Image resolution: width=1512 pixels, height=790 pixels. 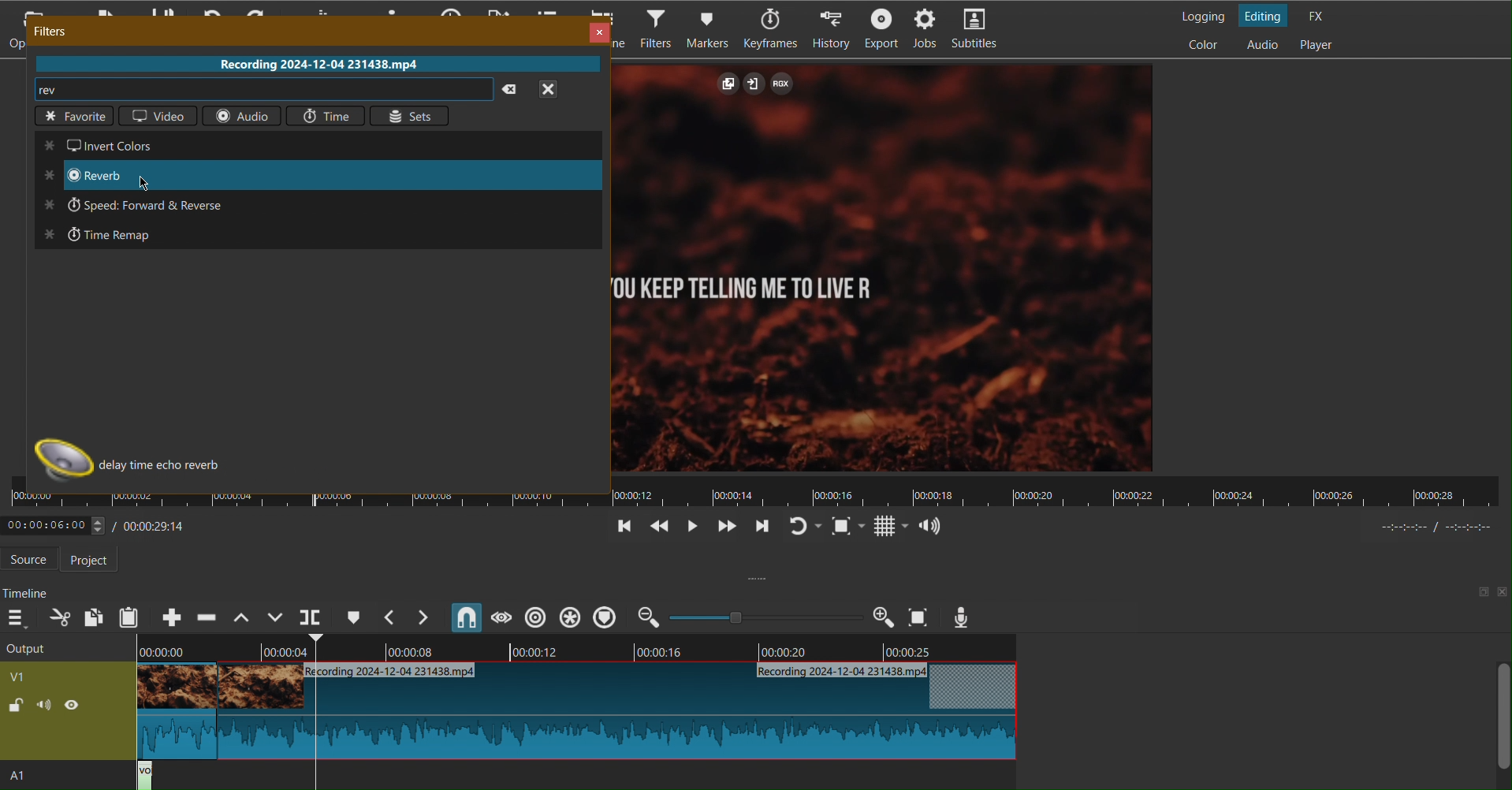 I want to click on Snap, so click(x=467, y=617).